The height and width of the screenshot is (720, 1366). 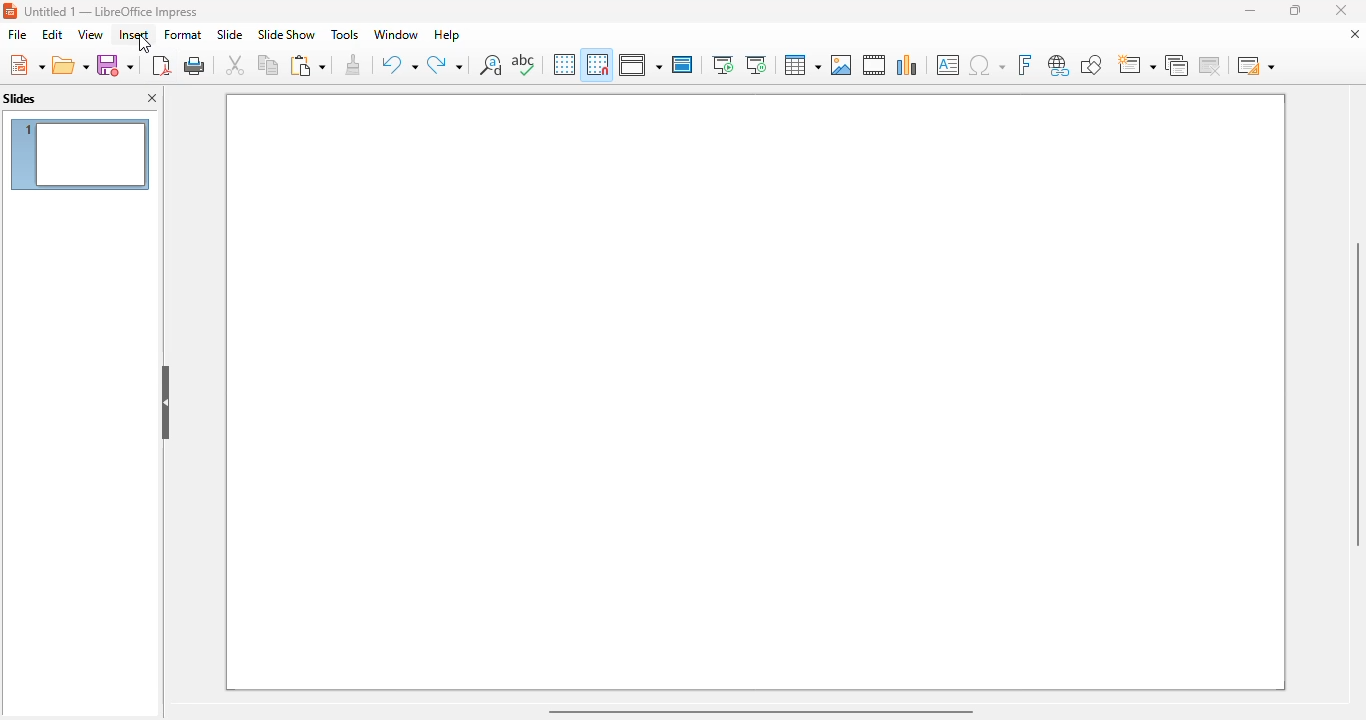 I want to click on print, so click(x=196, y=65).